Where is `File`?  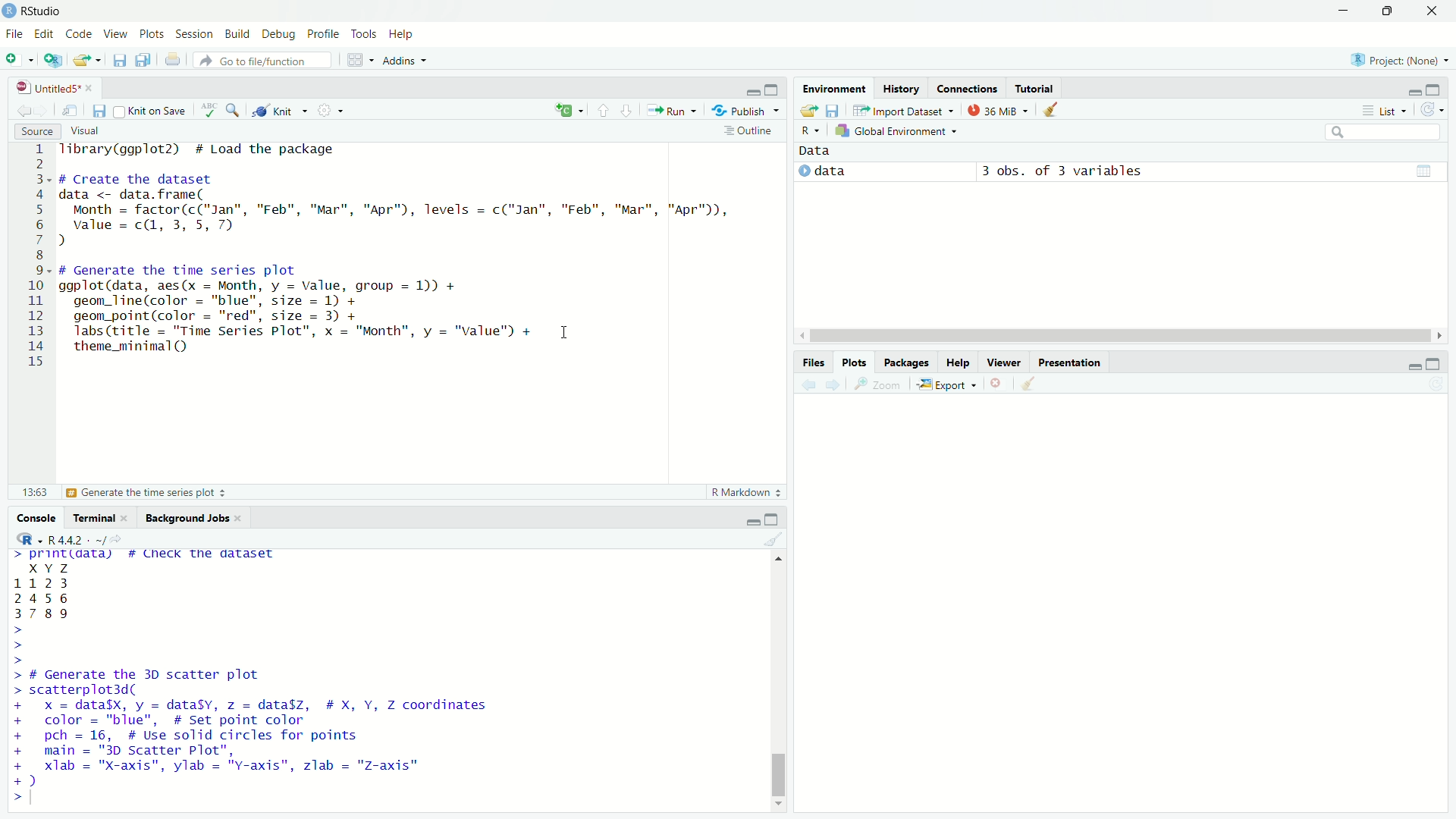 File is located at coordinates (13, 33).